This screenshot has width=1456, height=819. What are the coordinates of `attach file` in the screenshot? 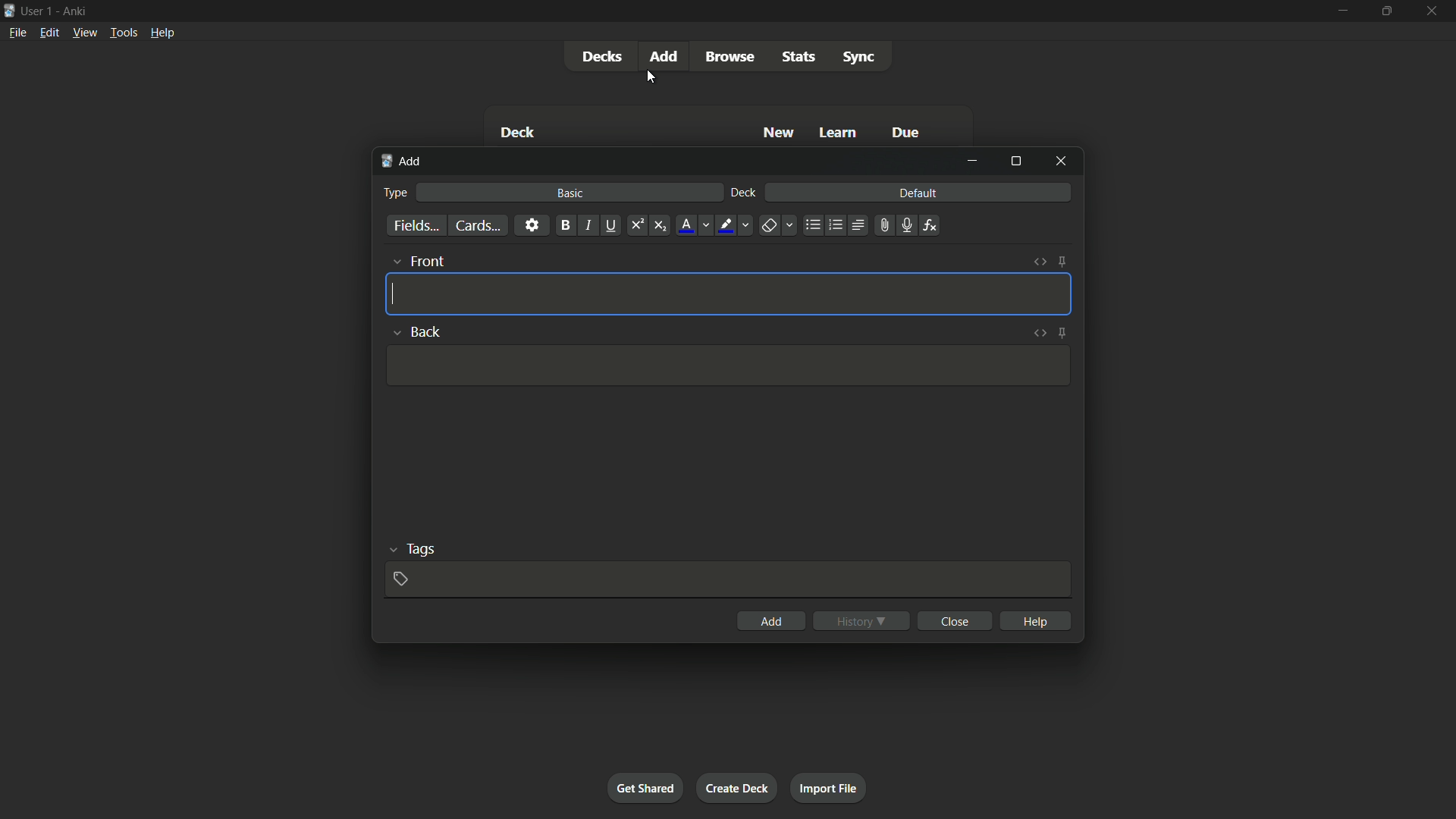 It's located at (883, 225).